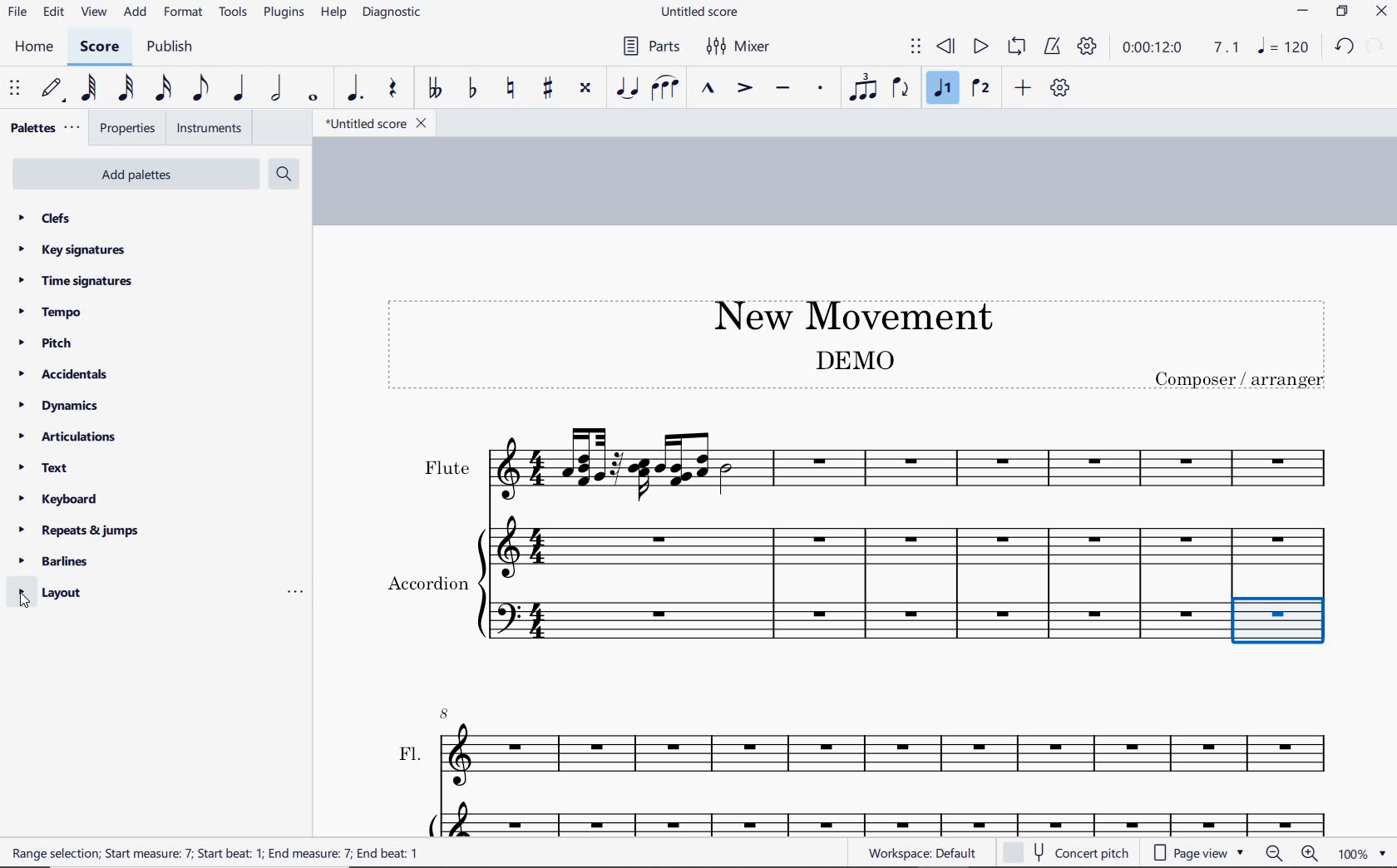 Image resolution: width=1397 pixels, height=868 pixels. What do you see at coordinates (353, 89) in the screenshot?
I see `augmentation dot` at bounding box center [353, 89].